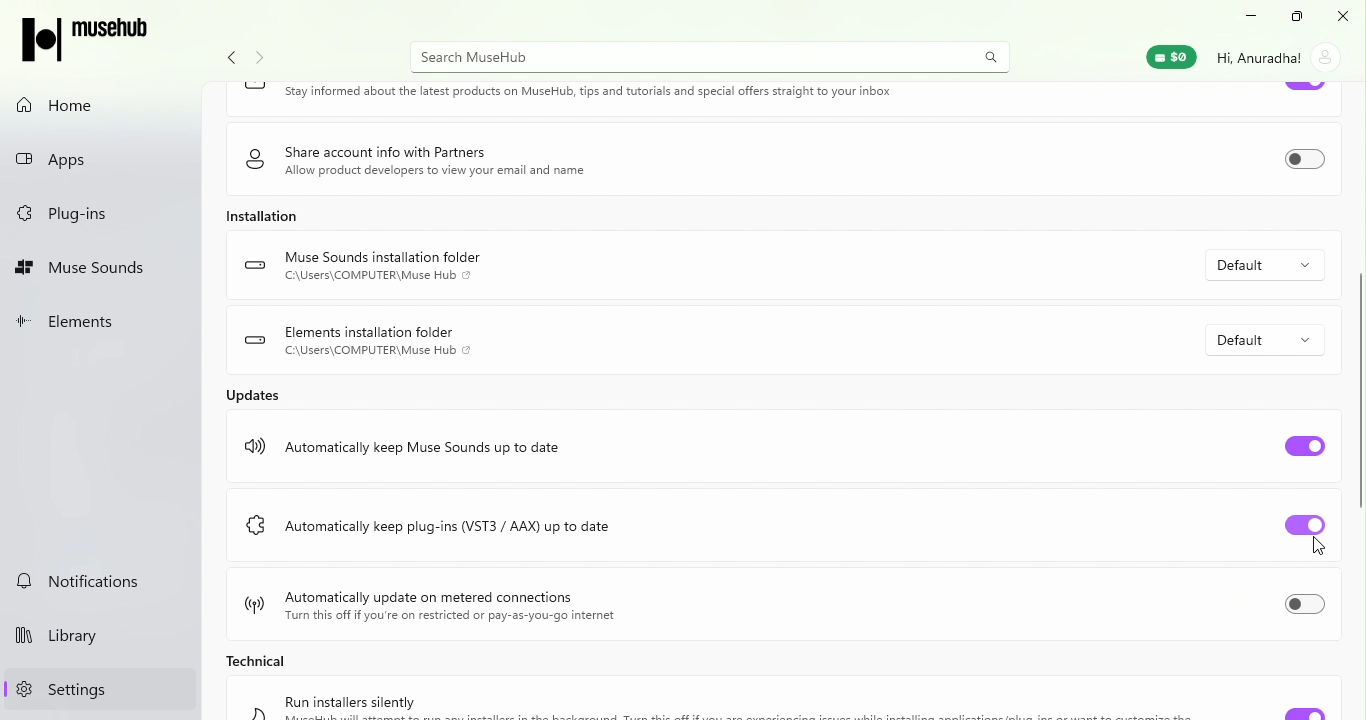 The height and width of the screenshot is (720, 1366). What do you see at coordinates (1262, 339) in the screenshot?
I see `Default` at bounding box center [1262, 339].